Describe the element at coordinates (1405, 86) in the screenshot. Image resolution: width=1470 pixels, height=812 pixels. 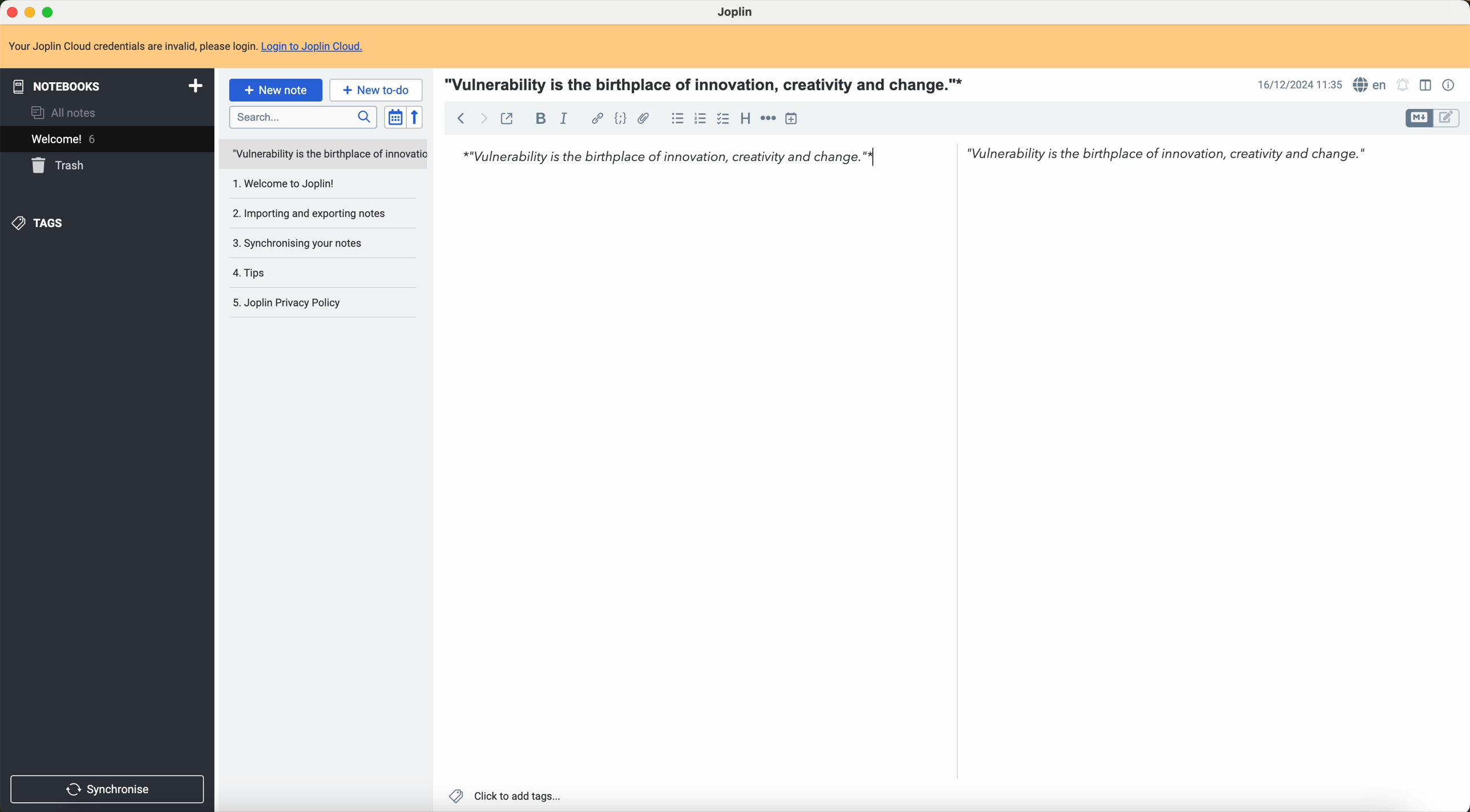
I see `set alarm` at that location.